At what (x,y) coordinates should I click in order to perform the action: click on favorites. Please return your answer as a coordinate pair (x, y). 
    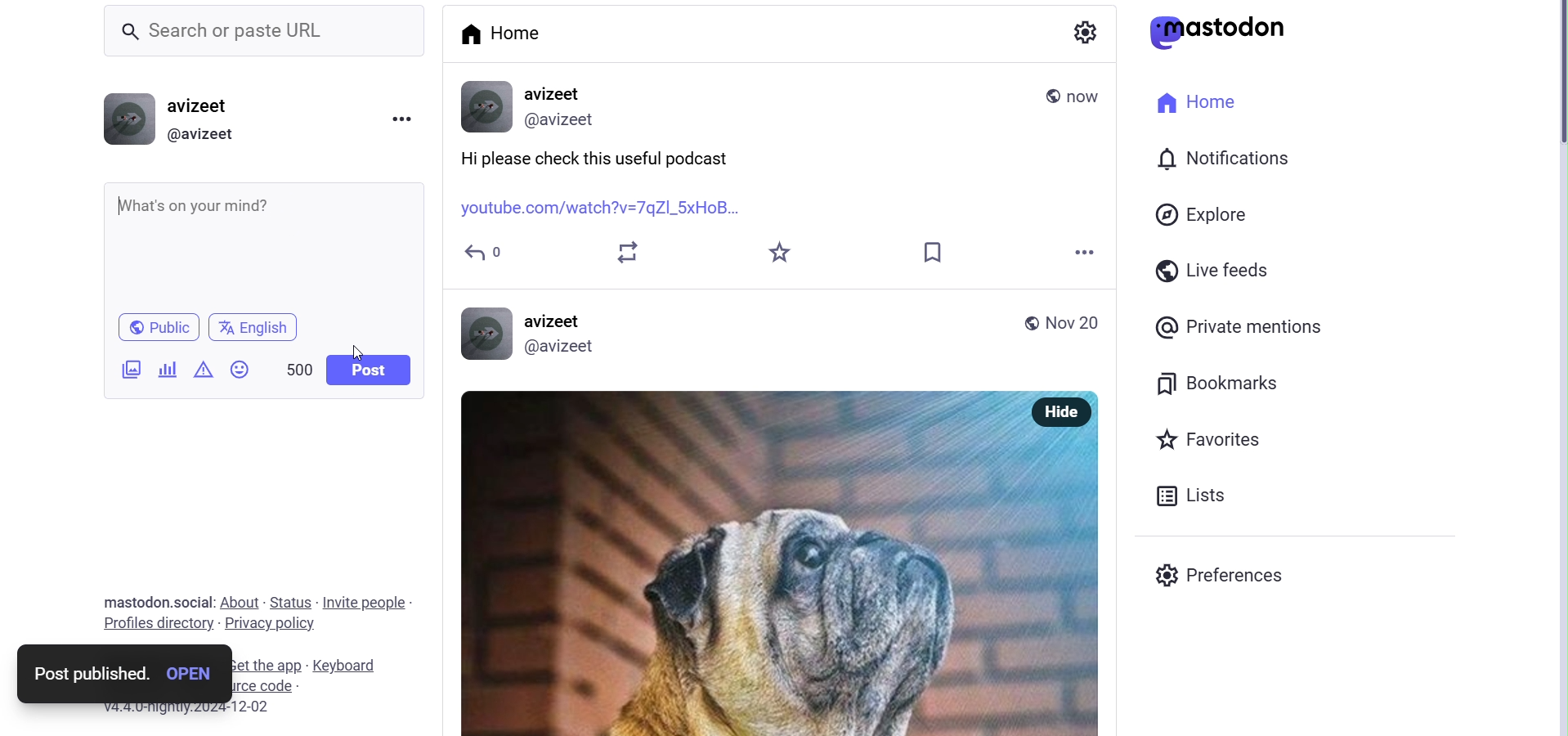
    Looking at the image, I should click on (1214, 439).